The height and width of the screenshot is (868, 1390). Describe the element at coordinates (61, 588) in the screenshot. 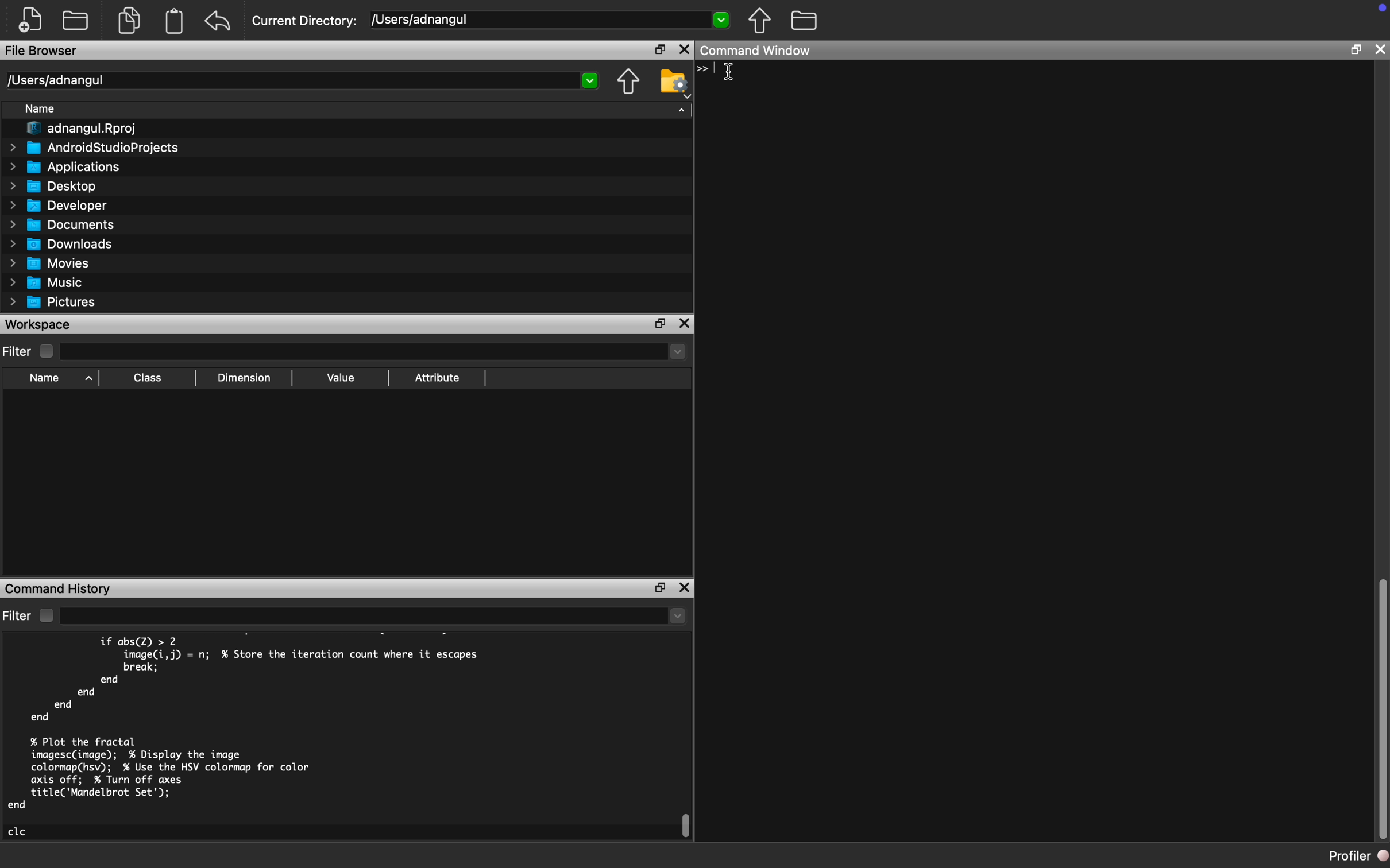

I see `Command History` at that location.